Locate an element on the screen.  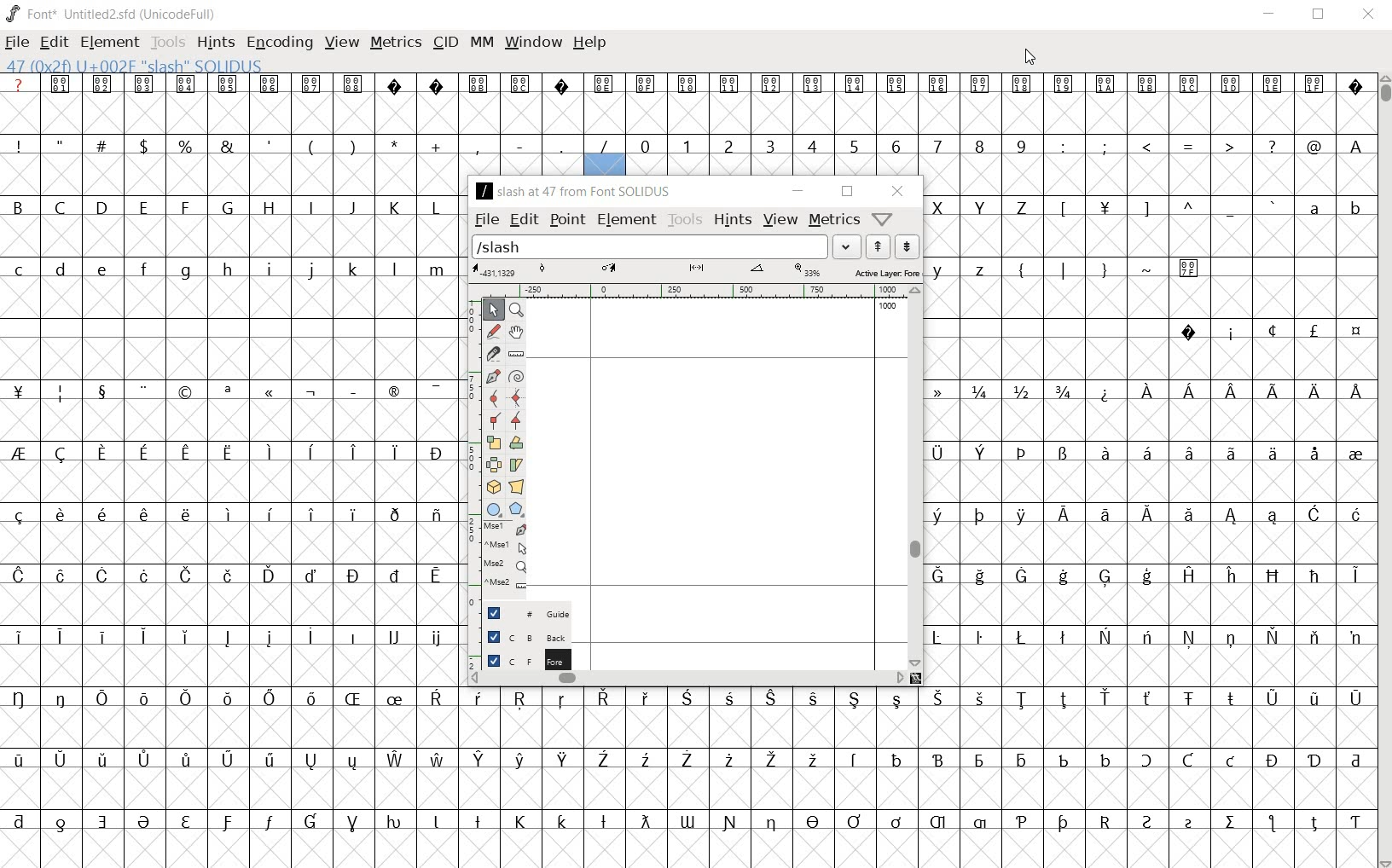
1000 is located at coordinates (881, 306).